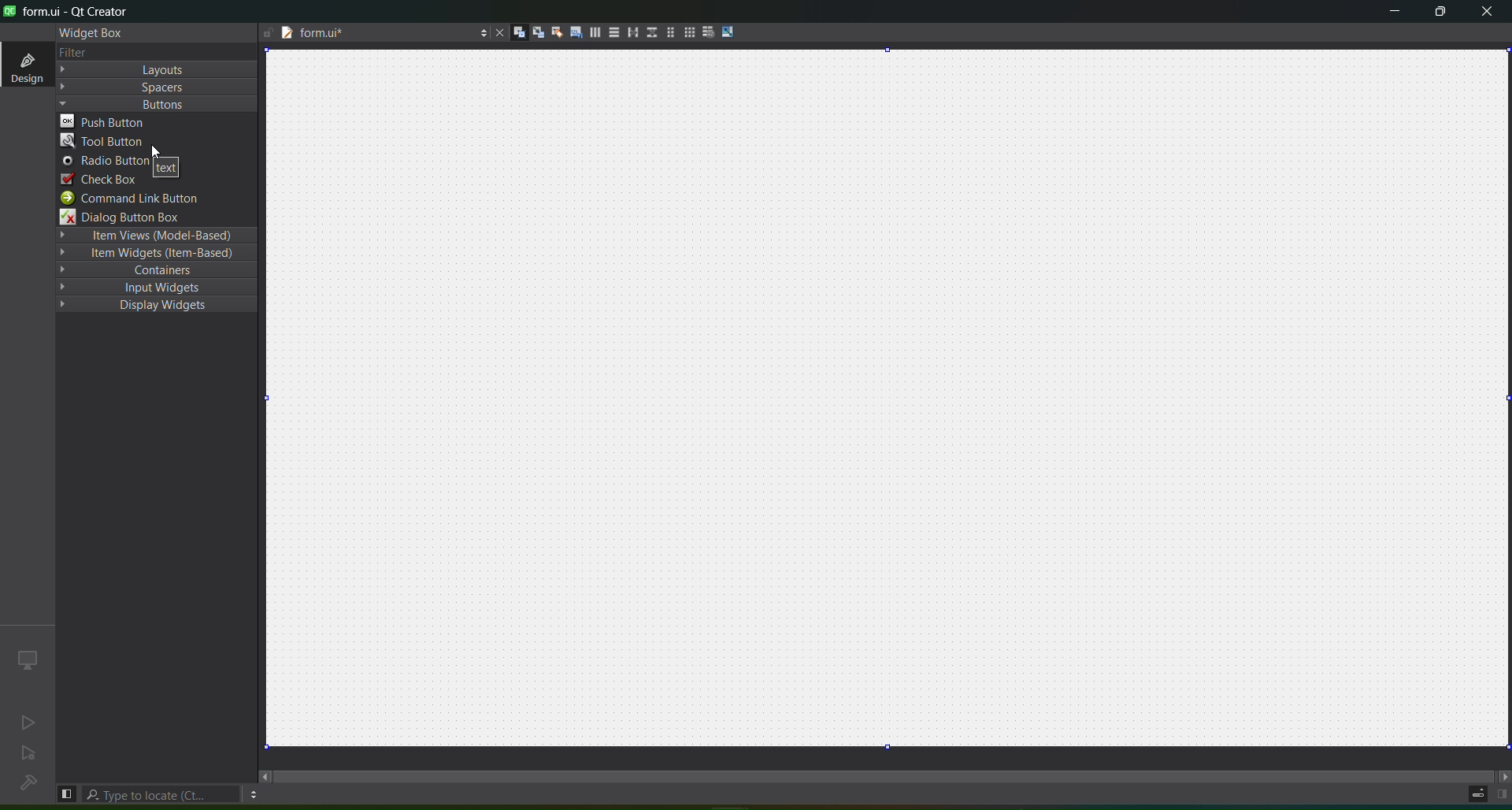  Describe the element at coordinates (30, 782) in the screenshot. I see `no project loaded` at that location.